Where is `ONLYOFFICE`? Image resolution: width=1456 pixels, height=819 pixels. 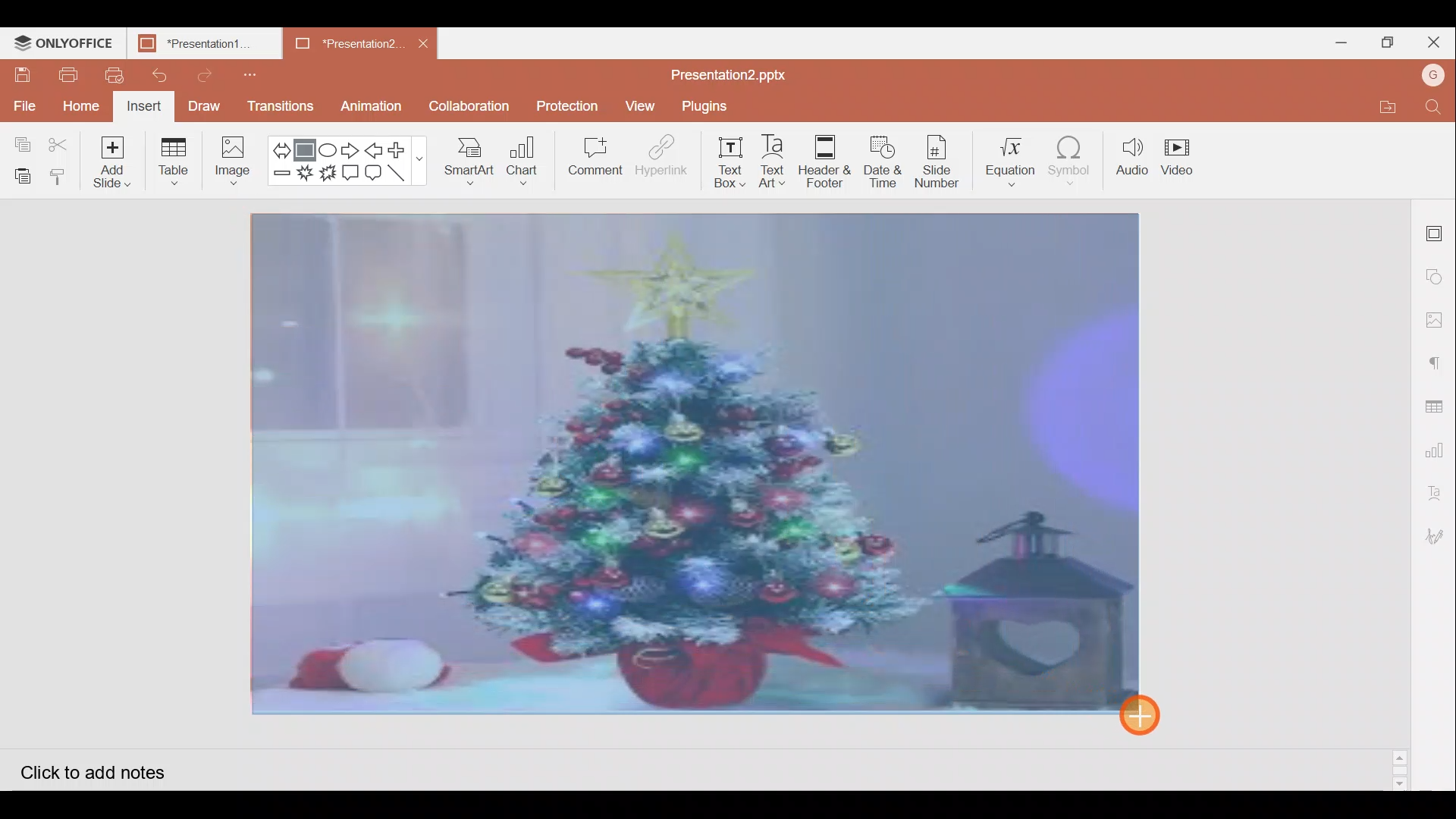
ONLYOFFICE is located at coordinates (64, 39).